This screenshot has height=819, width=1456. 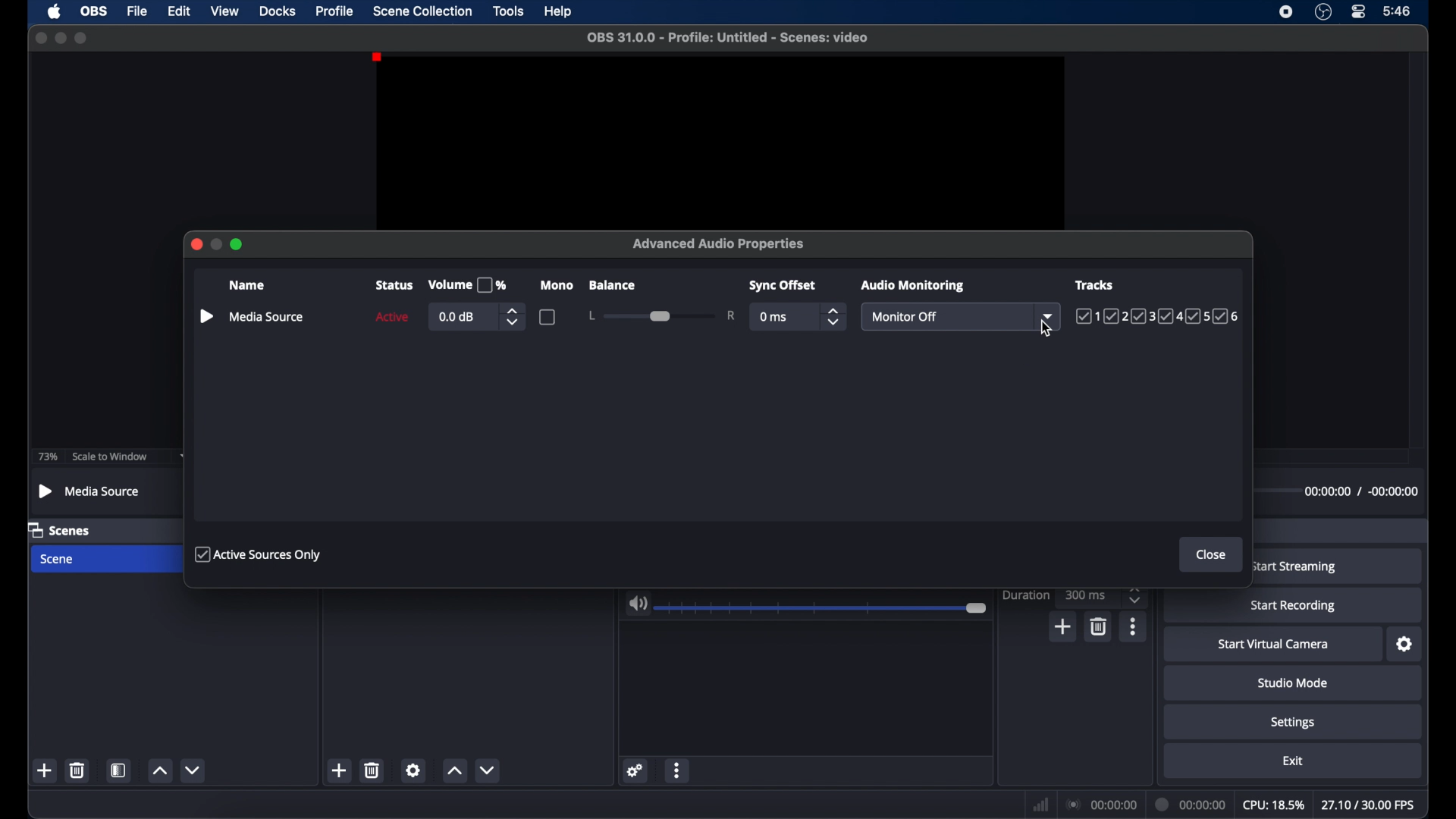 I want to click on delete, so click(x=373, y=770).